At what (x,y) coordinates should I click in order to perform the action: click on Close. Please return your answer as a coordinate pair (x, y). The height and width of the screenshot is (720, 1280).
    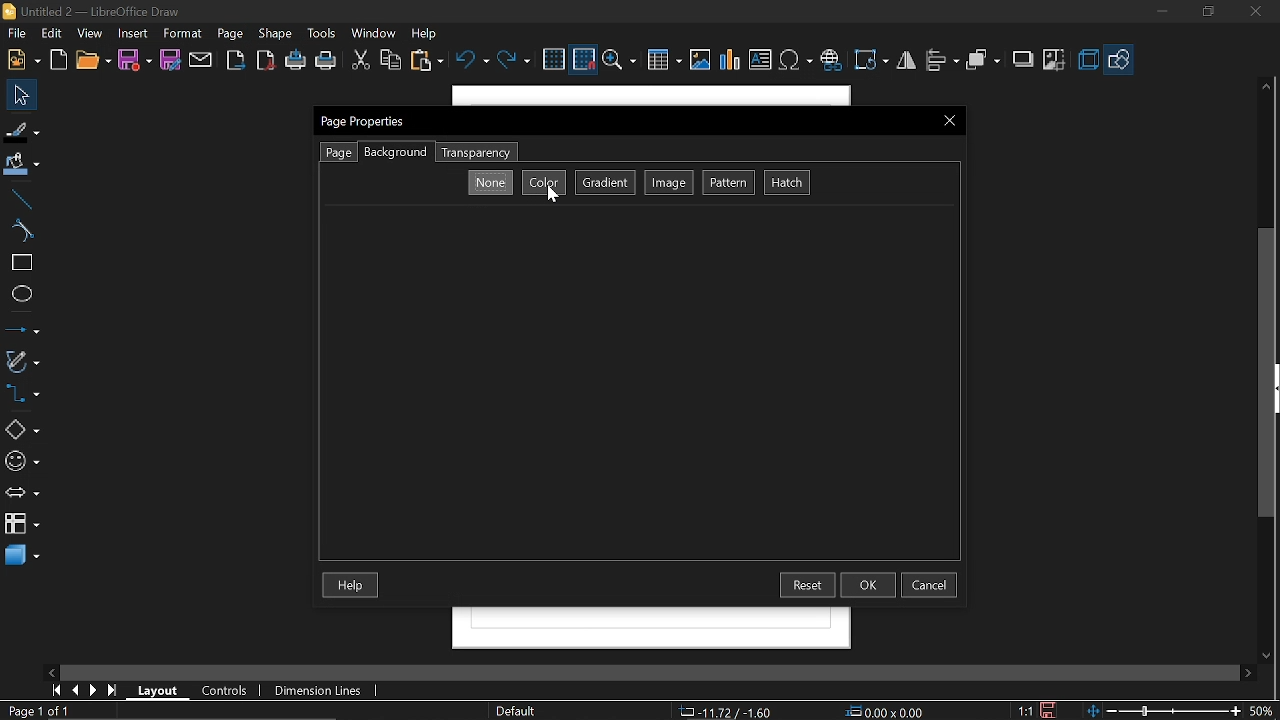
    Looking at the image, I should click on (950, 121).